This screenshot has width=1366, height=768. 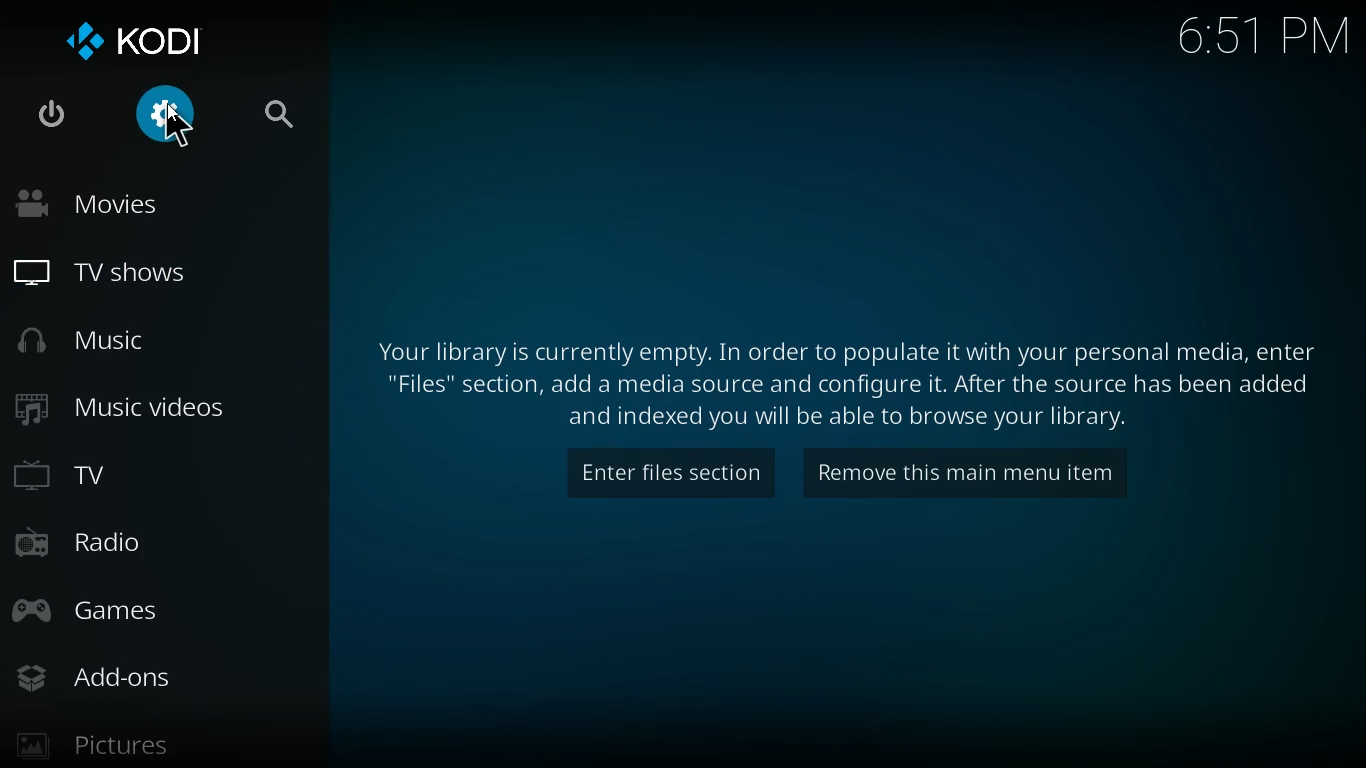 I want to click on settings, so click(x=166, y=120).